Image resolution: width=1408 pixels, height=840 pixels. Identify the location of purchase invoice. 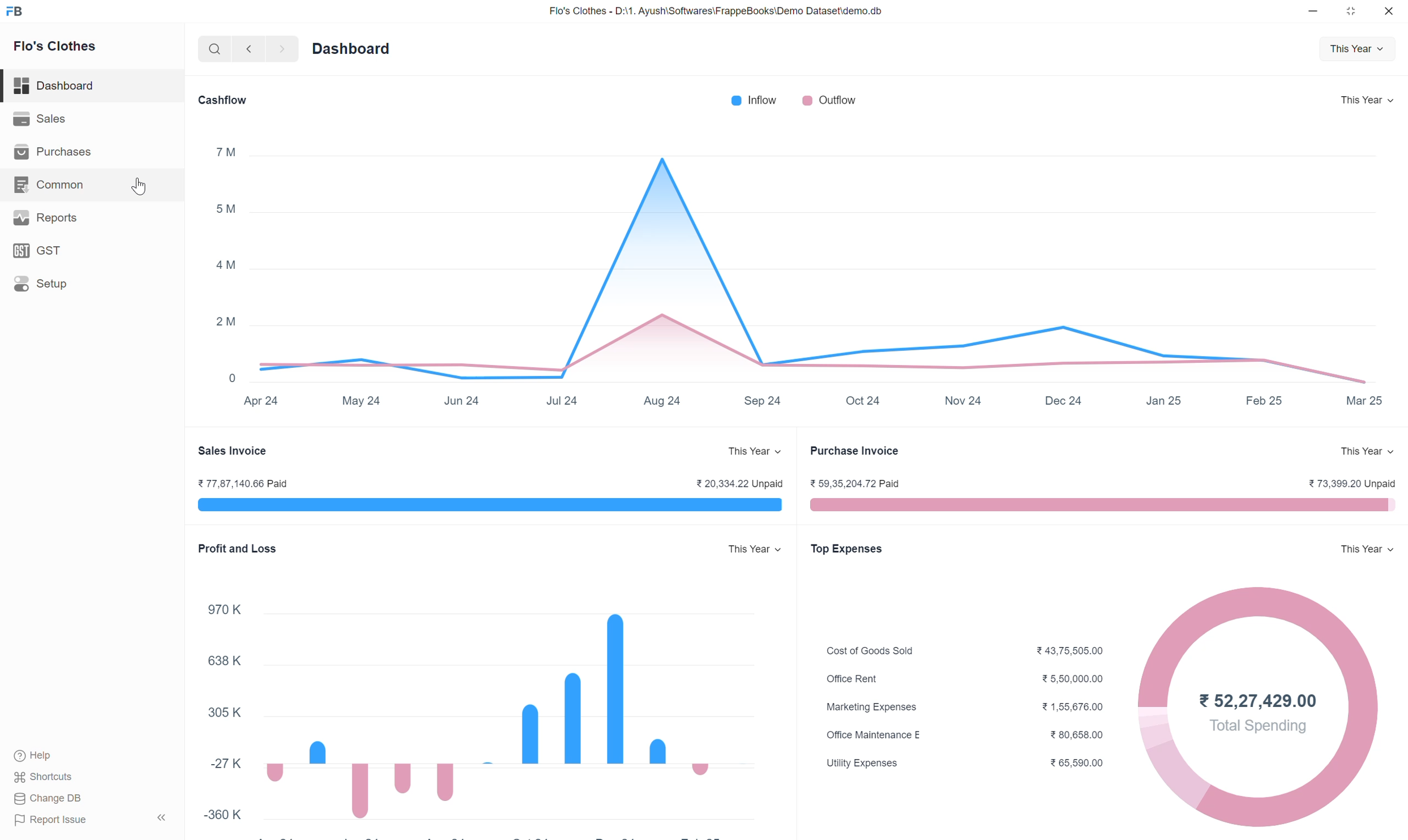
(861, 453).